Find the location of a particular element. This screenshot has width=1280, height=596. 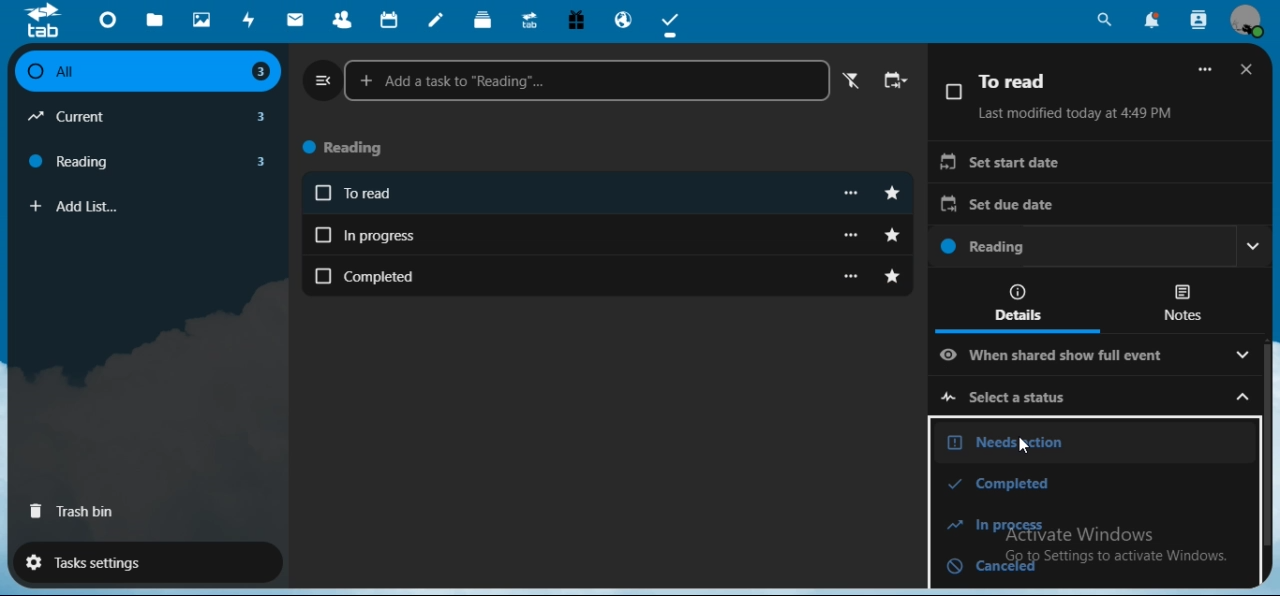

in process is located at coordinates (1097, 528).